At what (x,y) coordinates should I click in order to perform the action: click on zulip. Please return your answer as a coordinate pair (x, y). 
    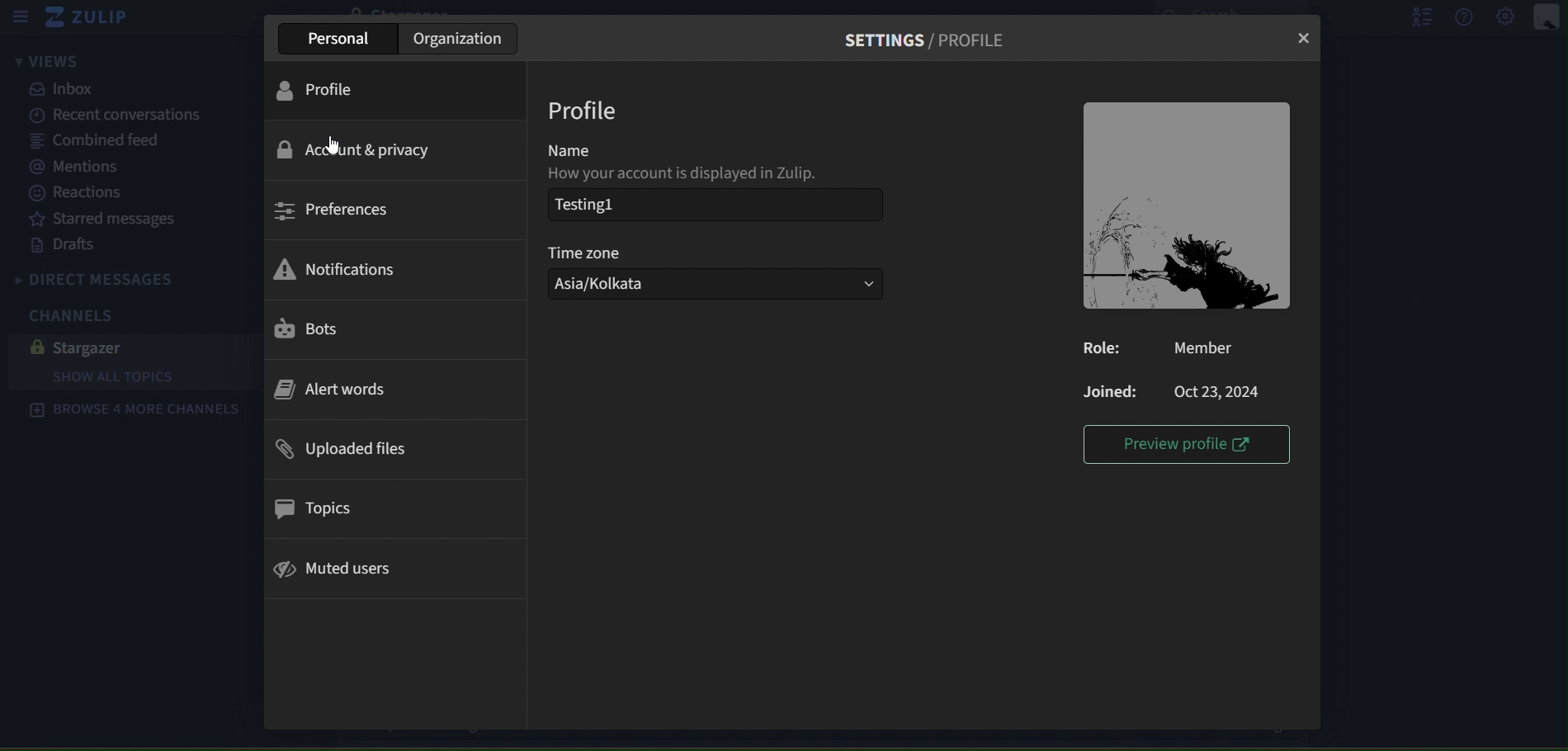
    Looking at the image, I should click on (93, 21).